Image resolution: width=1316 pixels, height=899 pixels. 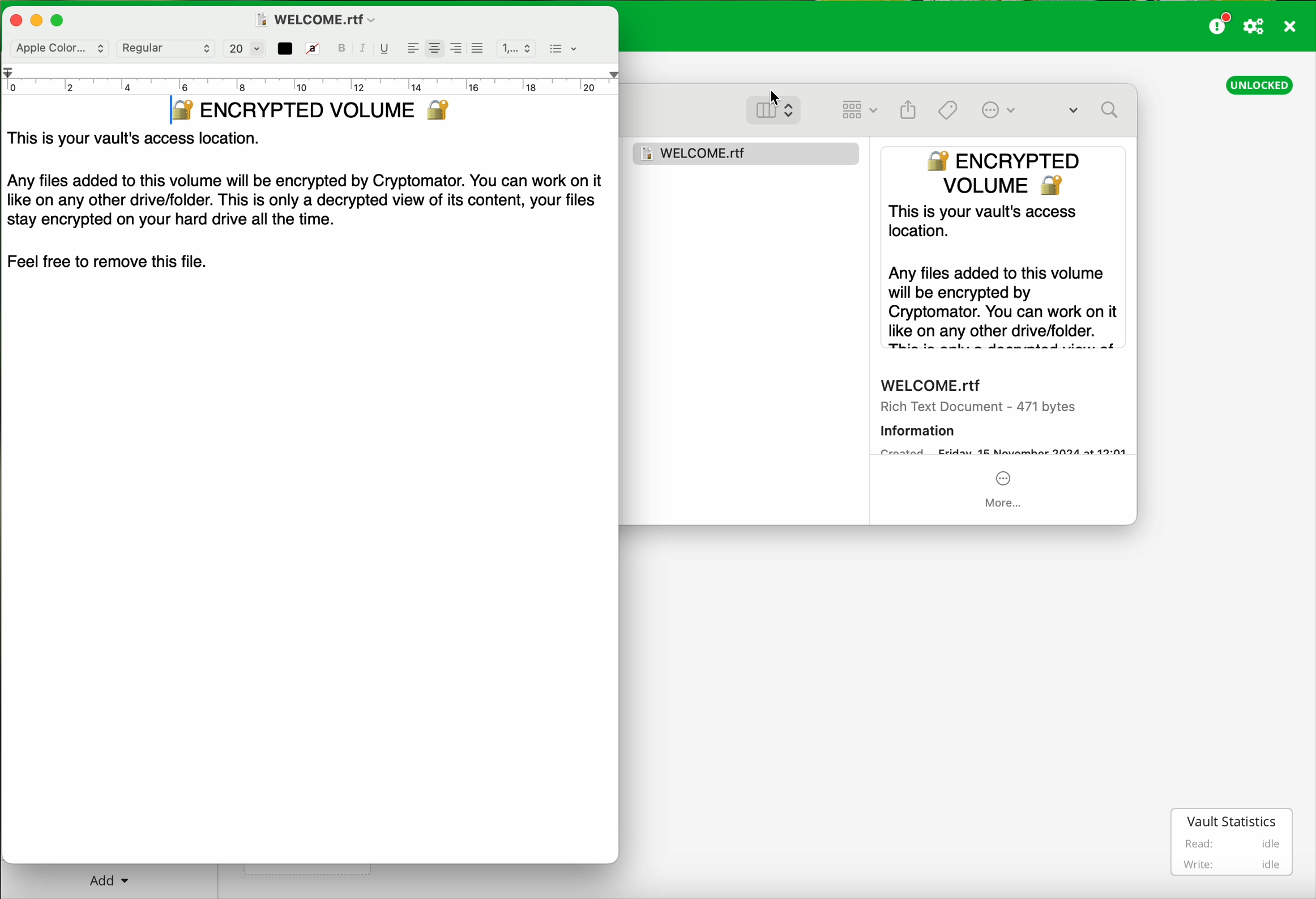 I want to click on Control butons, so click(x=41, y=19).